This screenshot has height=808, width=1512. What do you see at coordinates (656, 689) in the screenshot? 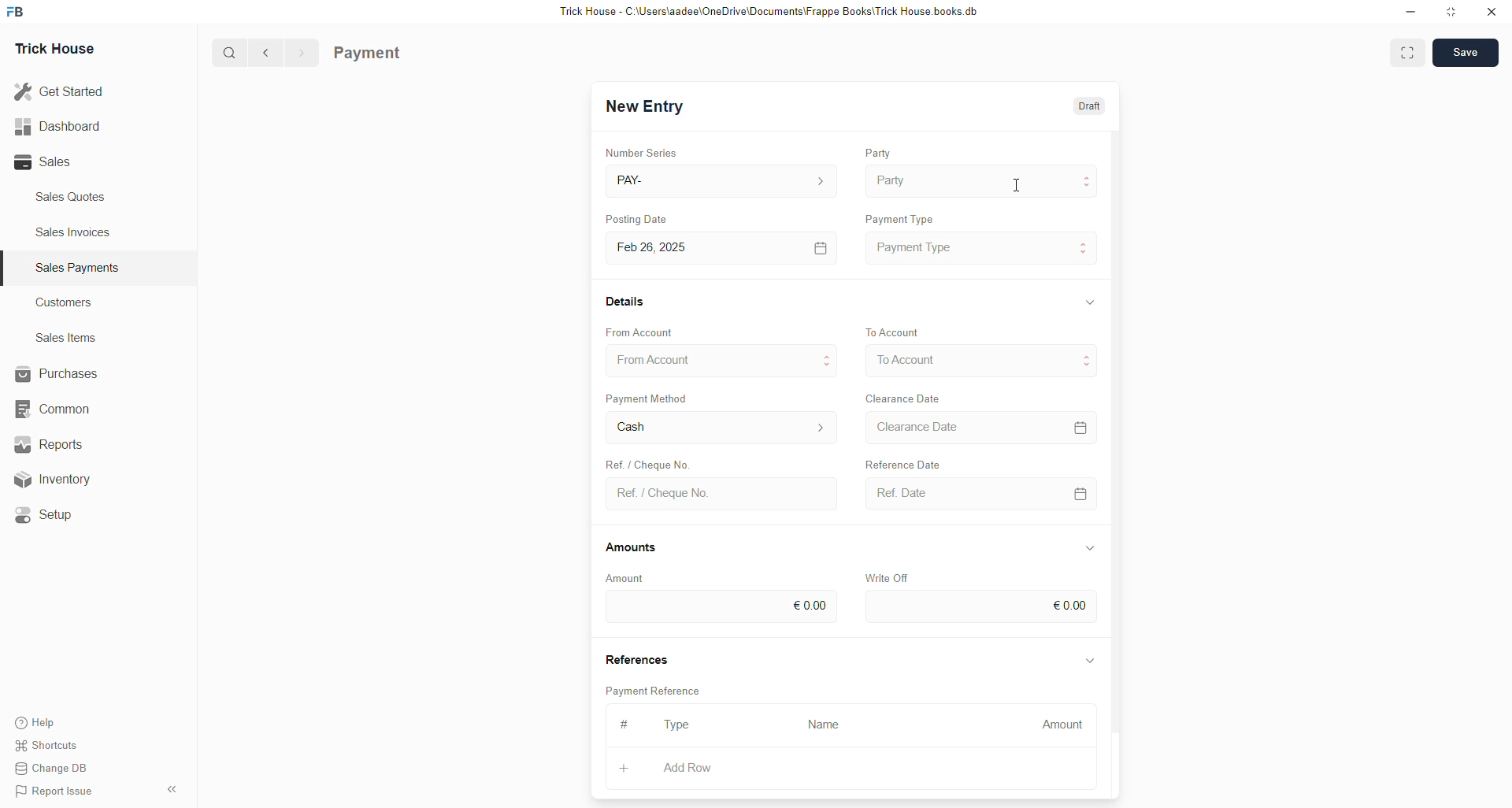
I see `Payment Reference` at bounding box center [656, 689].